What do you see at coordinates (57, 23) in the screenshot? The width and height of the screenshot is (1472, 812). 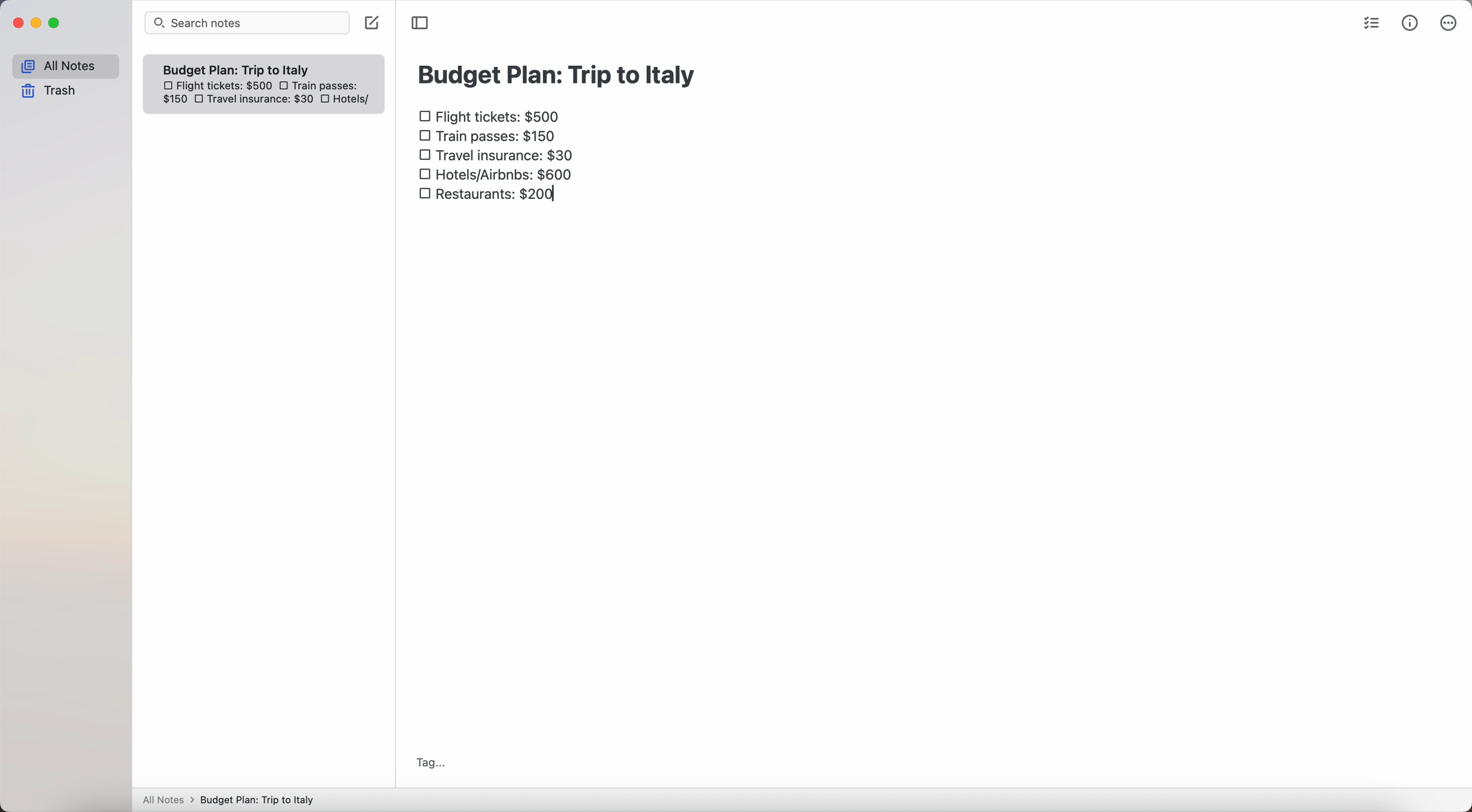 I see `maximize` at bounding box center [57, 23].